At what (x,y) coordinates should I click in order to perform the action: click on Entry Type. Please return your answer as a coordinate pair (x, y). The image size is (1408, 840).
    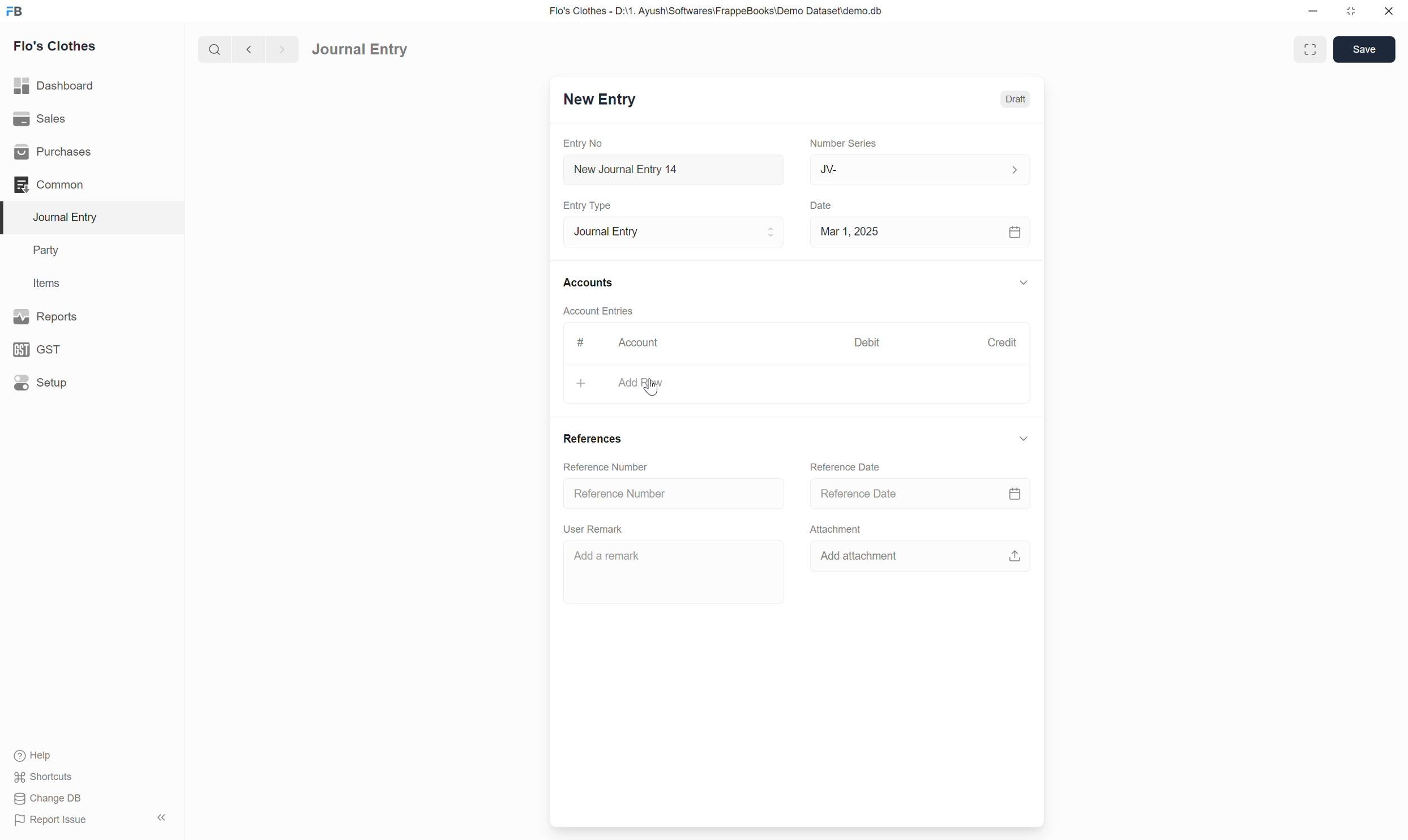
    Looking at the image, I should click on (591, 205).